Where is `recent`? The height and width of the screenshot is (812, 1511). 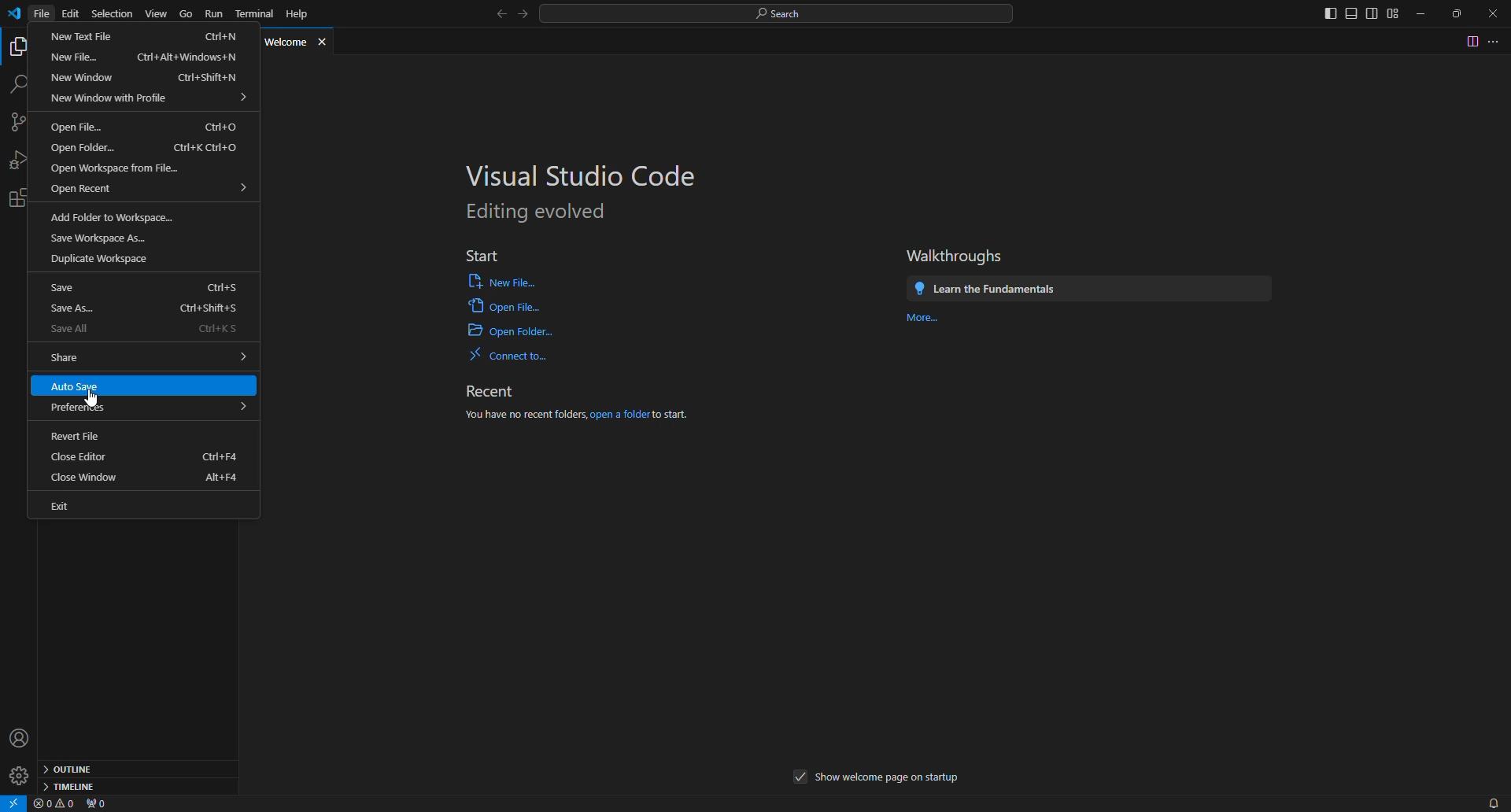
recent is located at coordinates (491, 392).